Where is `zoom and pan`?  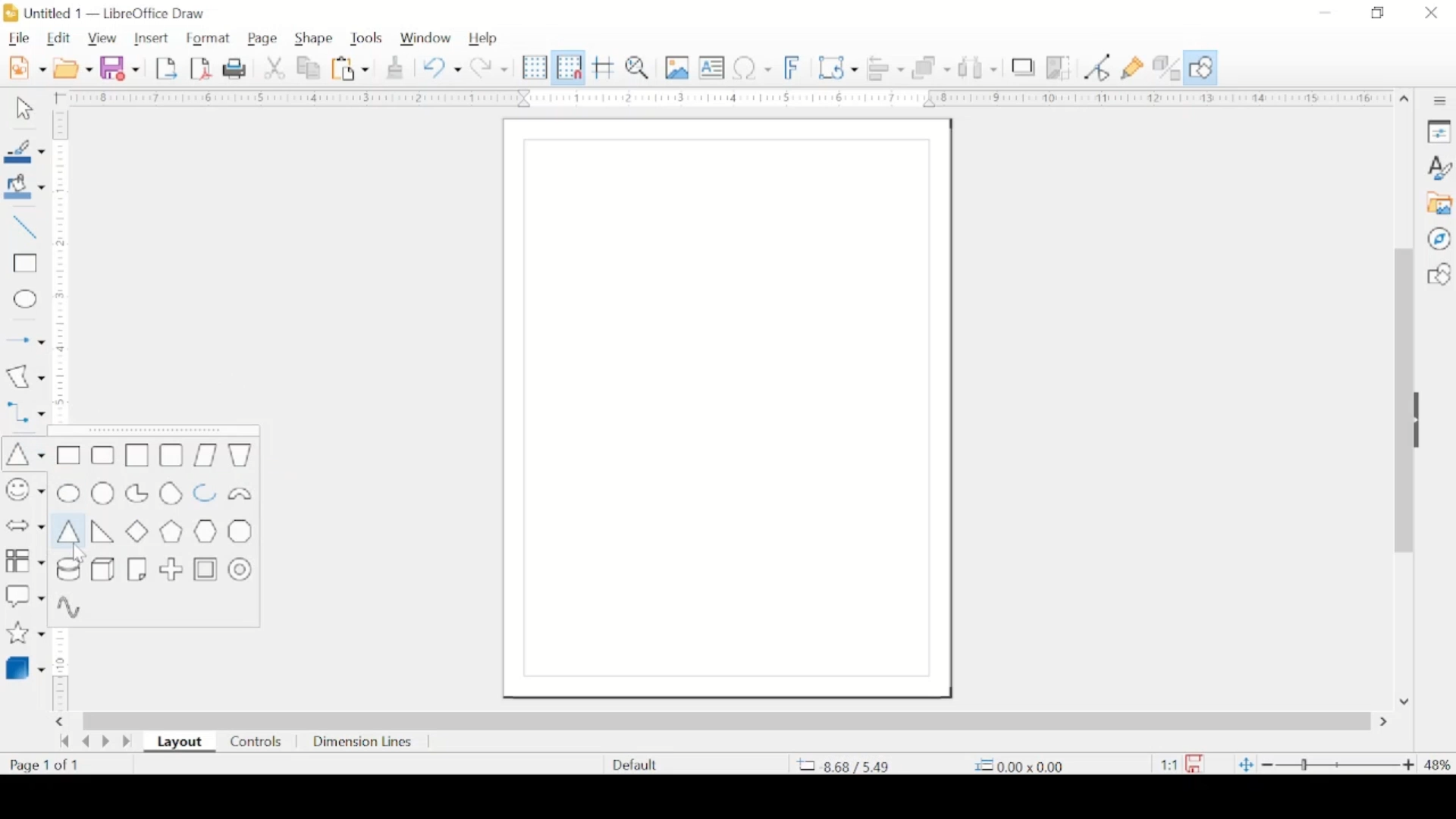
zoom and pan is located at coordinates (638, 68).